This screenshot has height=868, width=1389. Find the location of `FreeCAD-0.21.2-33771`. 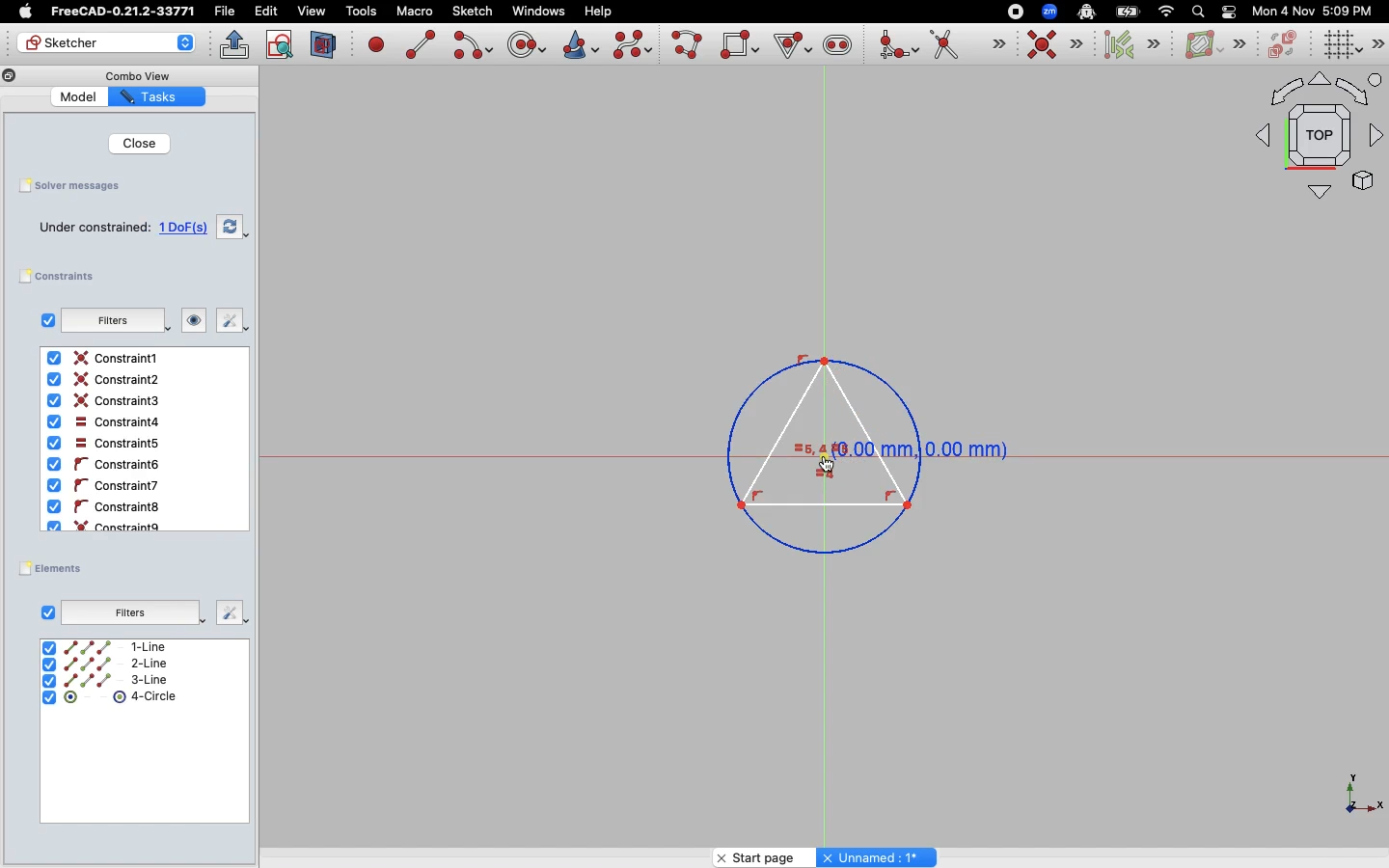

FreeCAD-0.21.2-33771 is located at coordinates (123, 12).